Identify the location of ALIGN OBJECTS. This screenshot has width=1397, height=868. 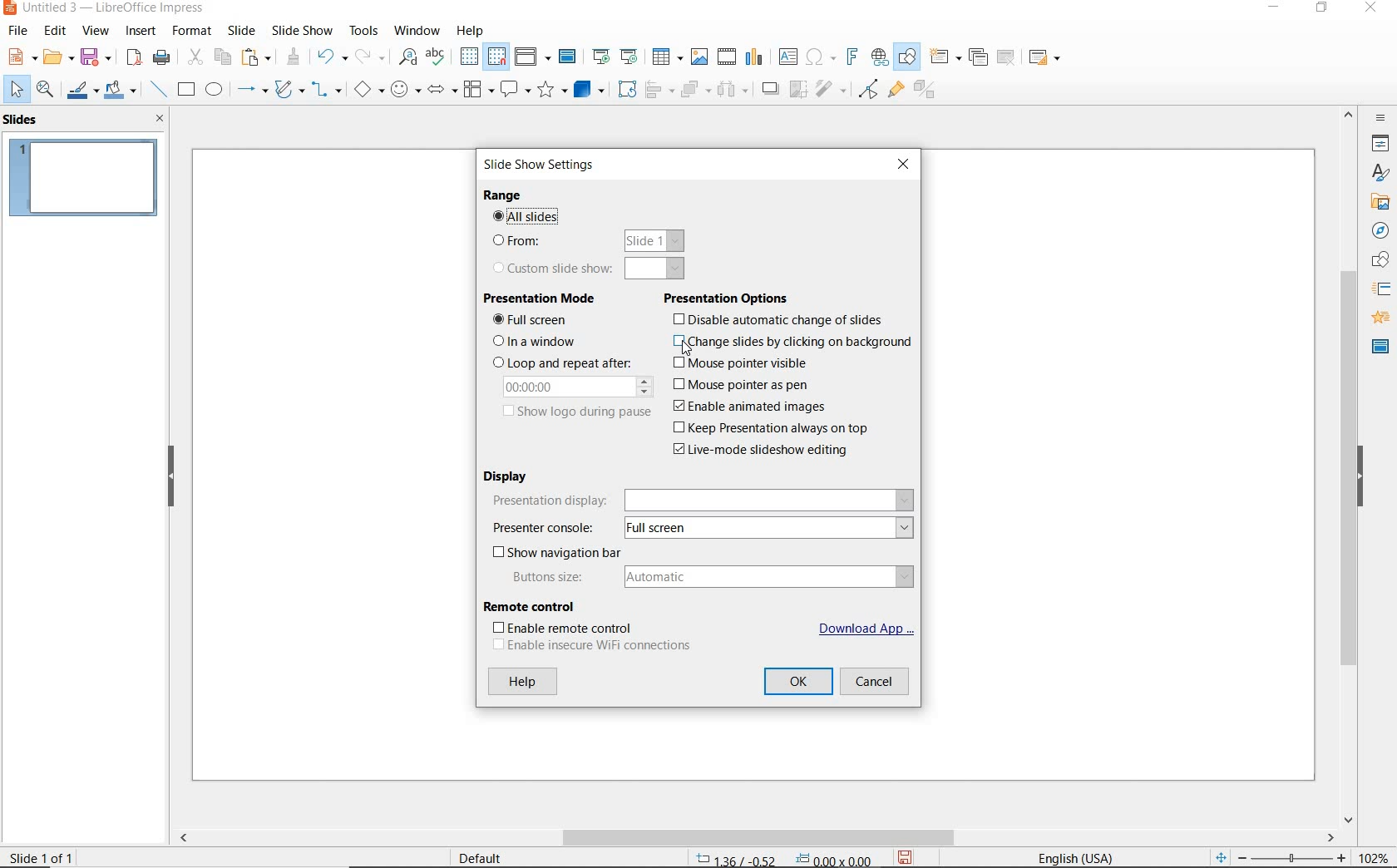
(655, 90).